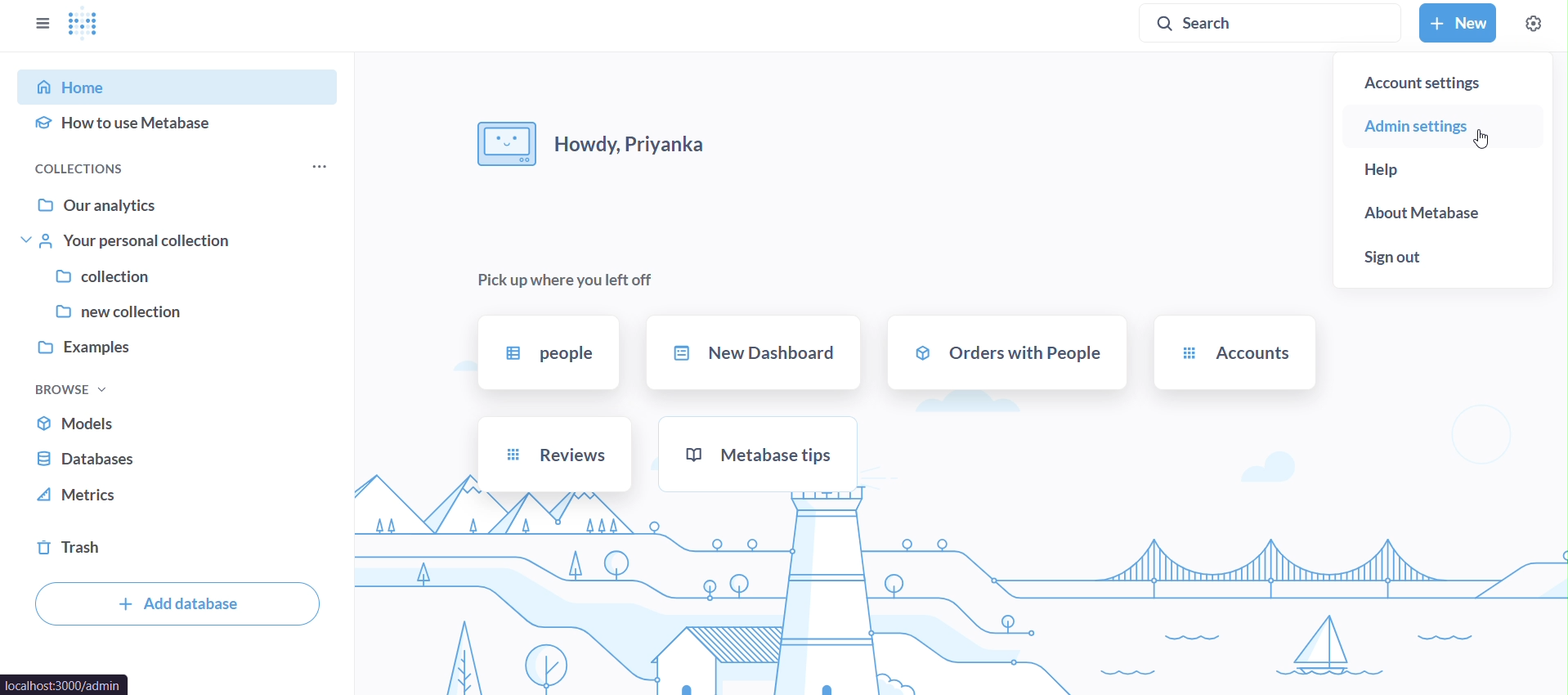  What do you see at coordinates (183, 204) in the screenshot?
I see `our analytics` at bounding box center [183, 204].